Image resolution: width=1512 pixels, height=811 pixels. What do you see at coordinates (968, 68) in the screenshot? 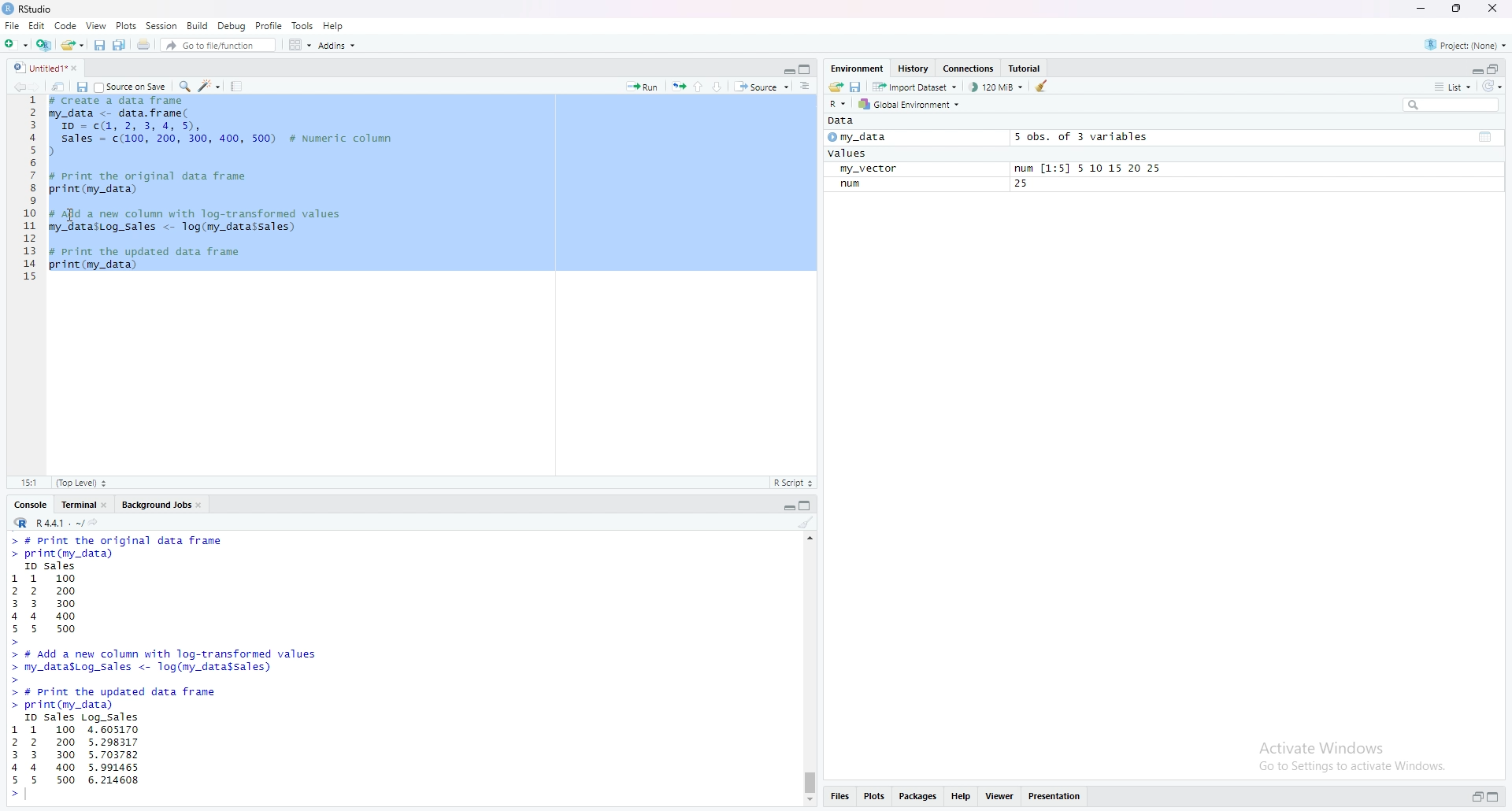
I see `Connections` at bounding box center [968, 68].